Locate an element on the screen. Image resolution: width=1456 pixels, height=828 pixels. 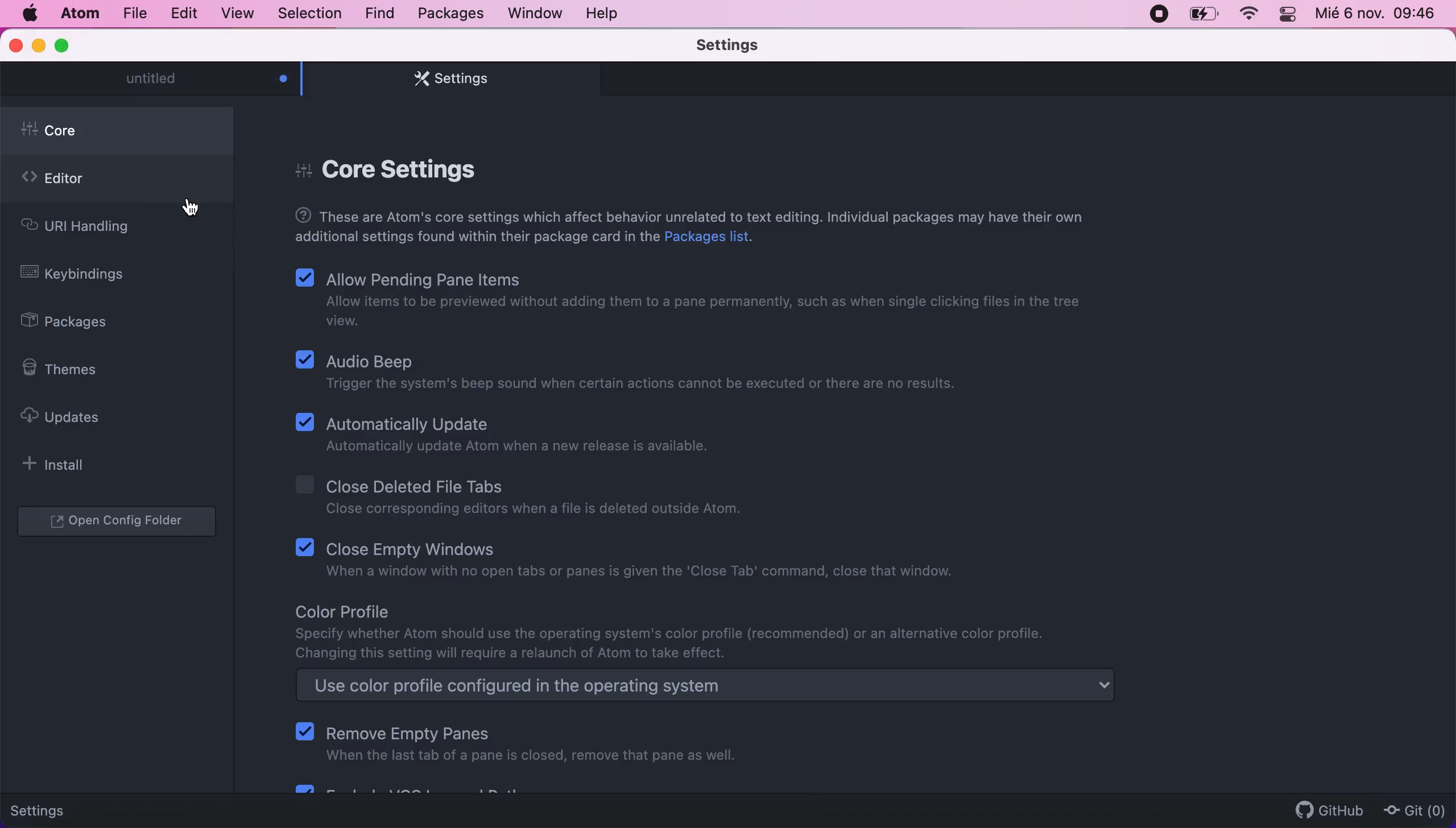
Use color profile configured in the operating system is located at coordinates (705, 684).